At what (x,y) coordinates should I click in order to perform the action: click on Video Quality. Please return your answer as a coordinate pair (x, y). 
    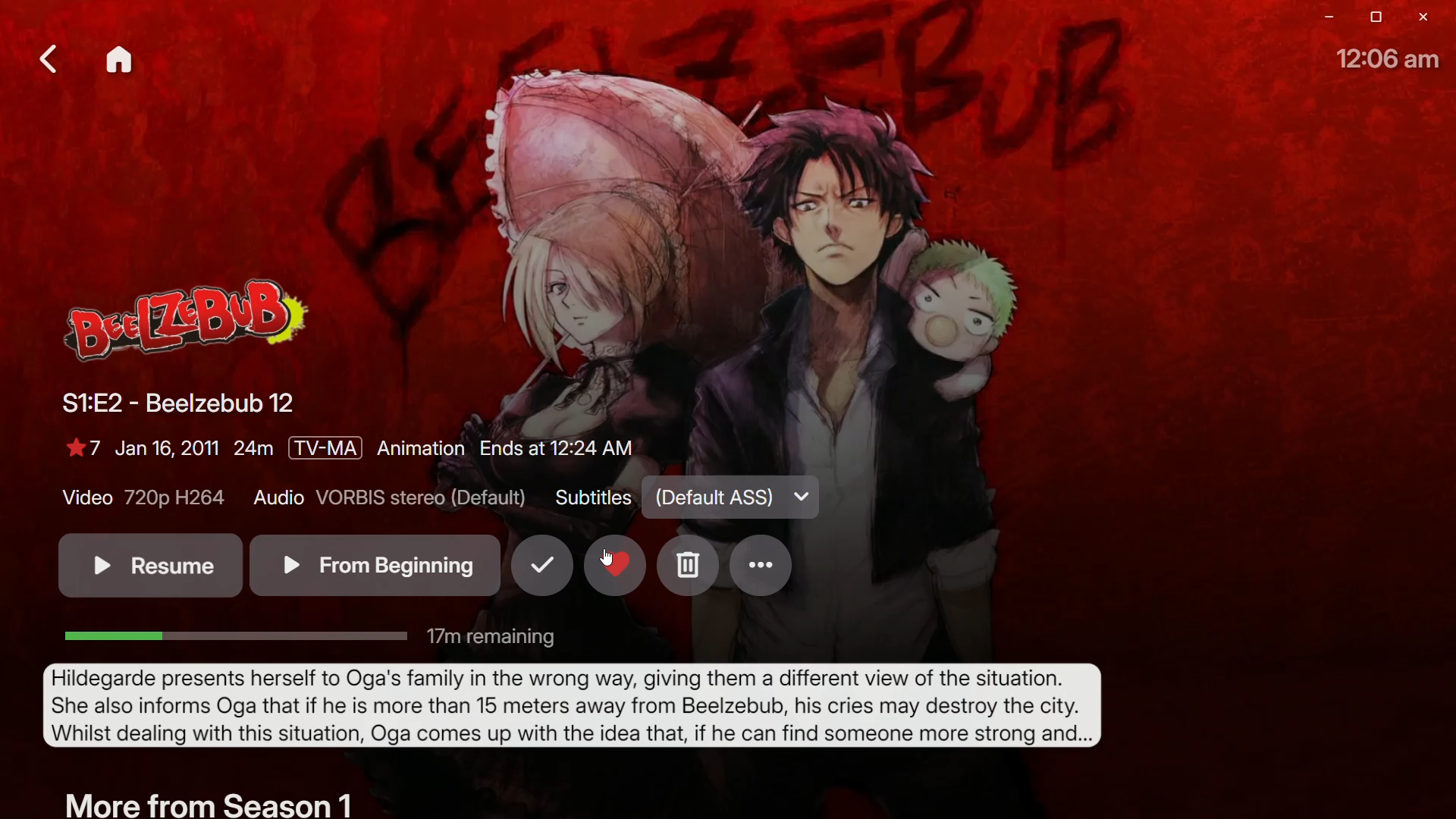
    Looking at the image, I should click on (144, 500).